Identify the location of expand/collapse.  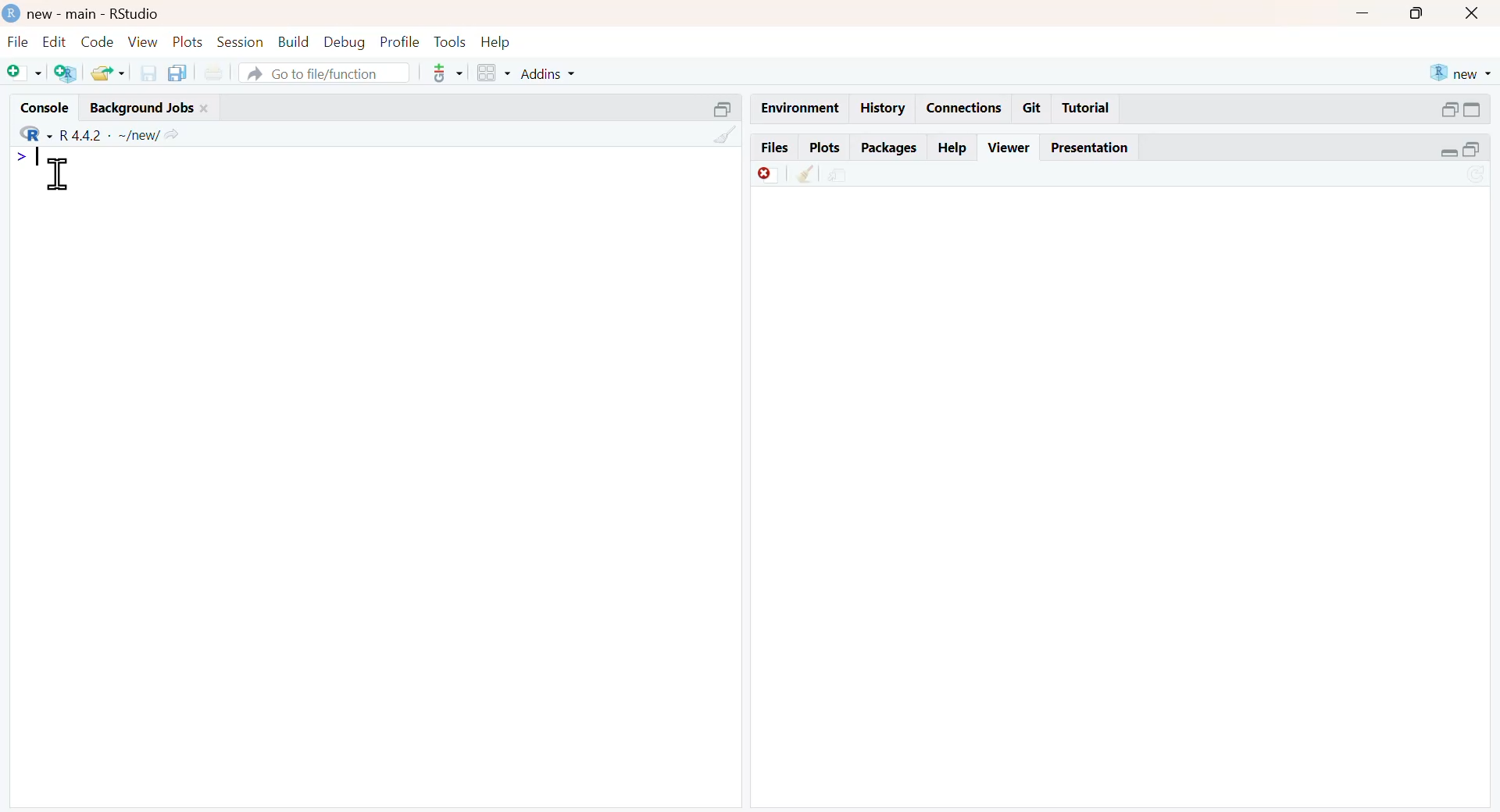
(1448, 152).